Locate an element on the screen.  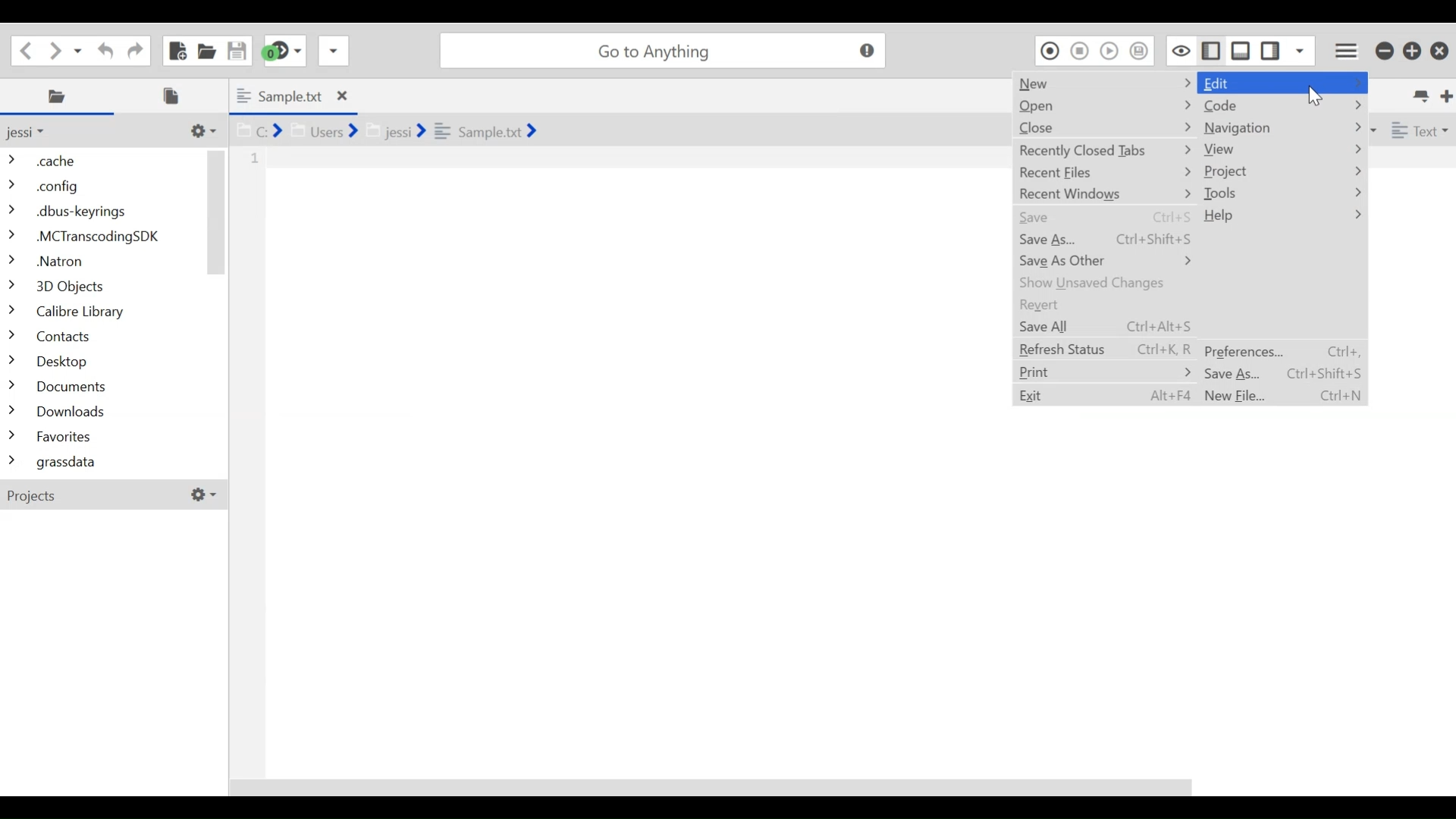
Go back one location is located at coordinates (26, 49).